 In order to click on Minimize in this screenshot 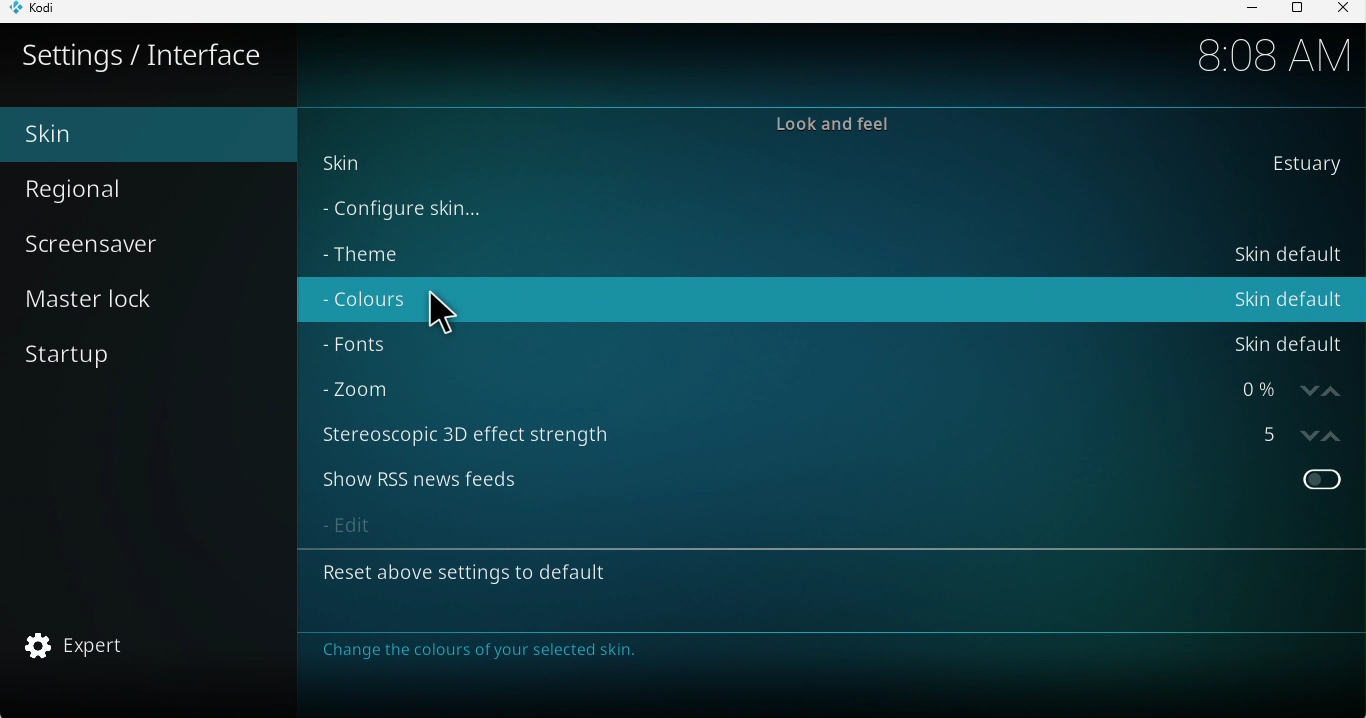, I will do `click(1243, 11)`.